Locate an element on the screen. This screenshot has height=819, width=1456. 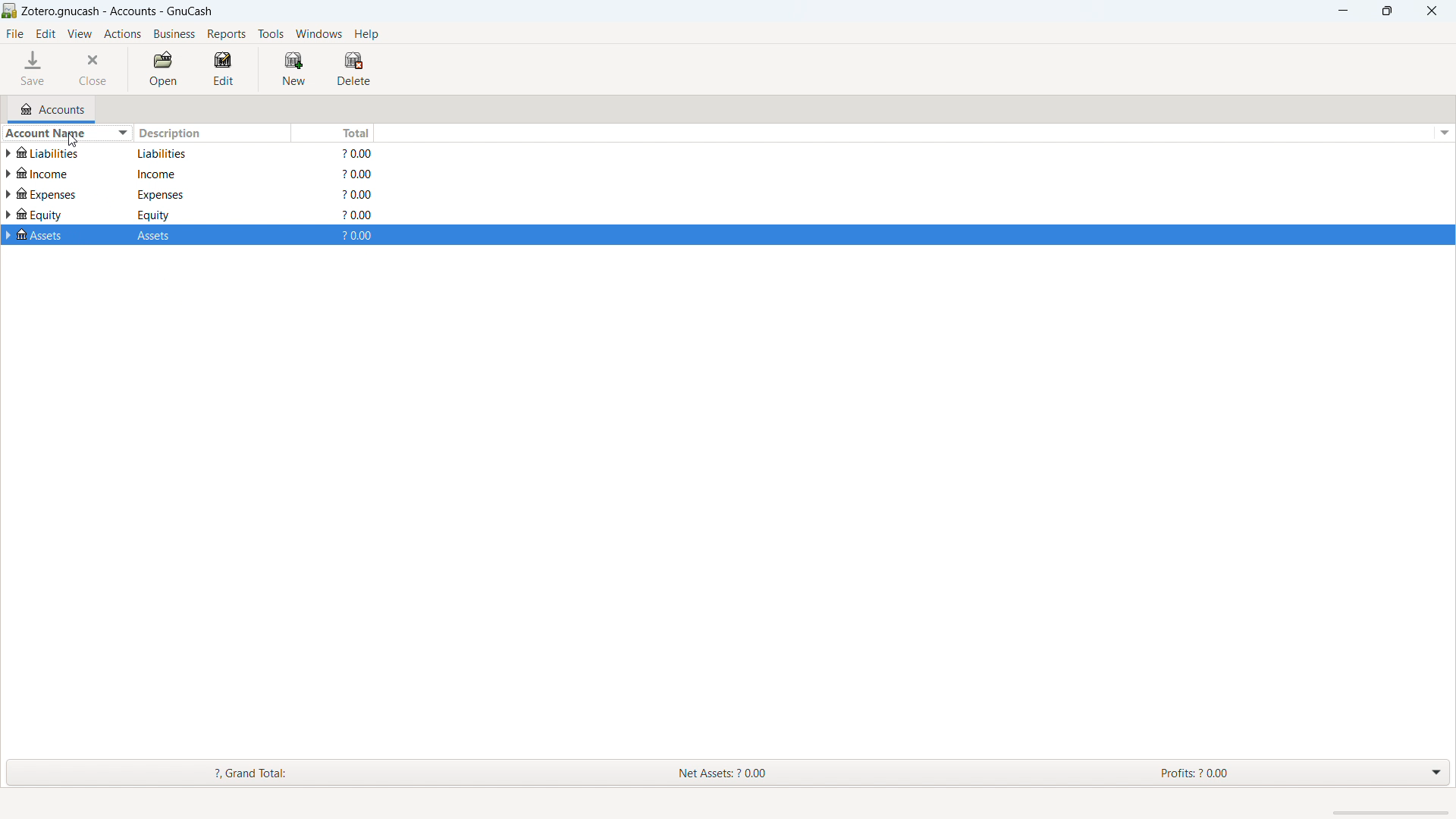
Net Assets: 20.00 is located at coordinates (742, 773).